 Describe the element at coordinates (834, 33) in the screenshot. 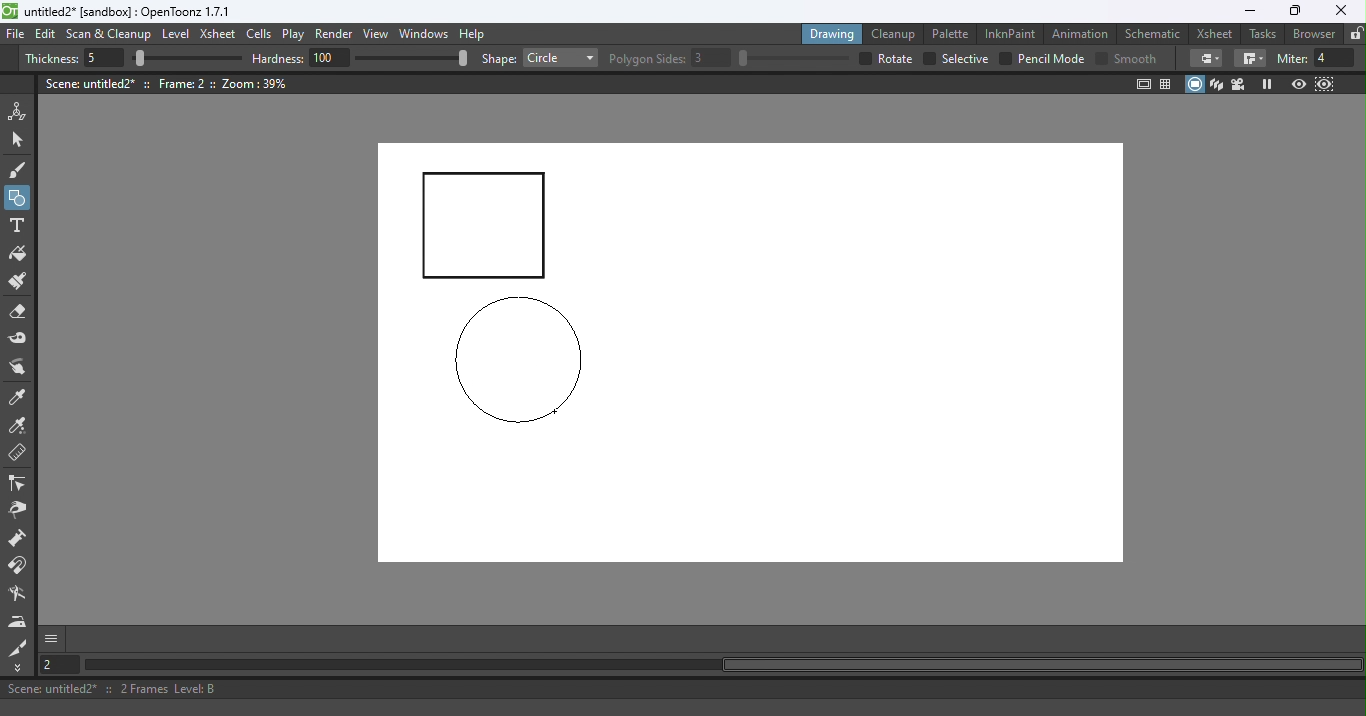

I see `Drawing` at that location.